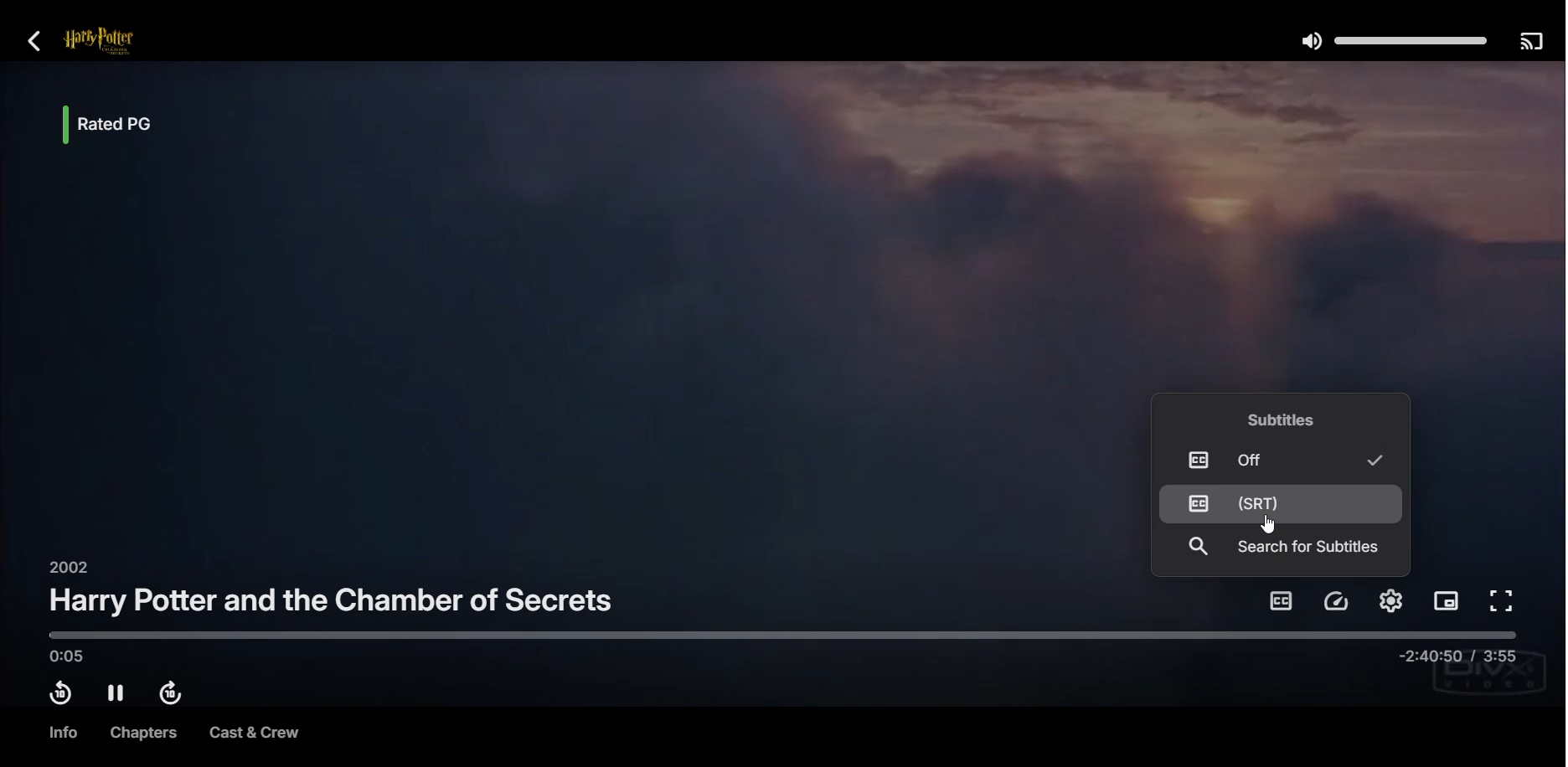  I want to click on Back, so click(35, 40).